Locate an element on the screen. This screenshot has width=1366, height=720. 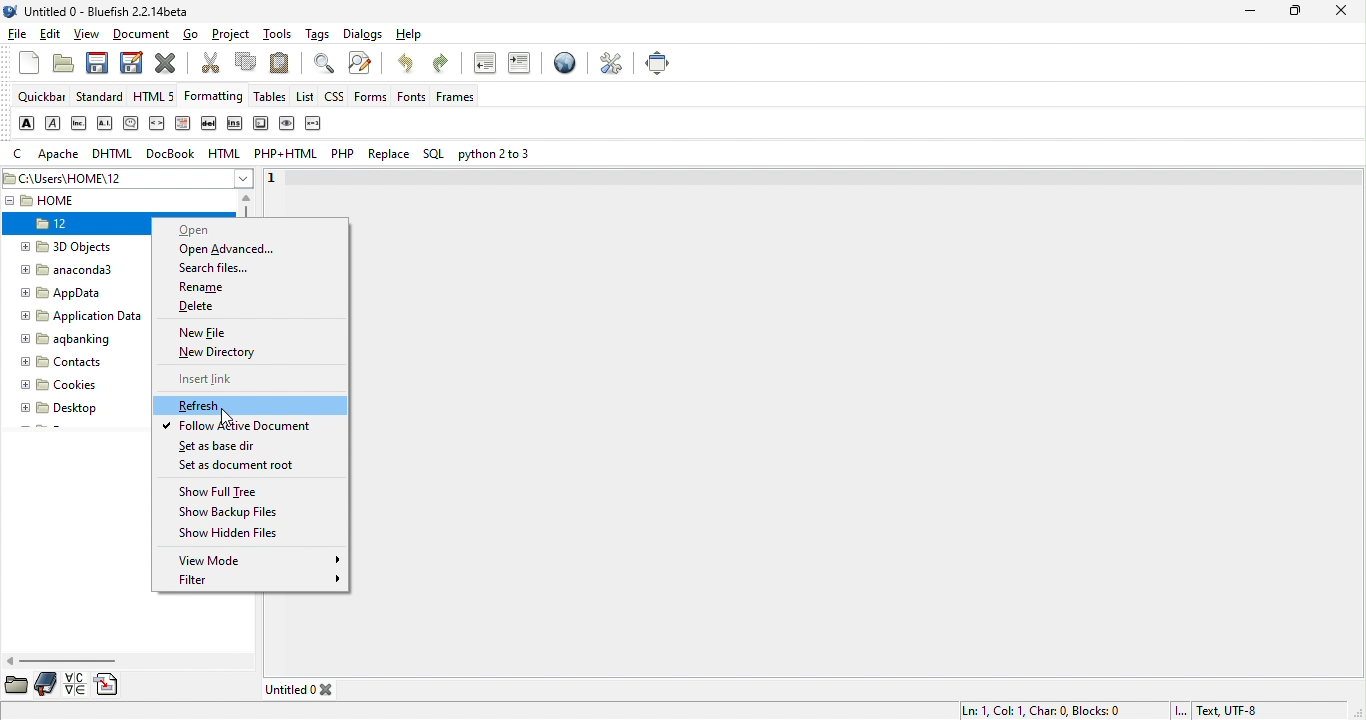
cut is located at coordinates (210, 65).